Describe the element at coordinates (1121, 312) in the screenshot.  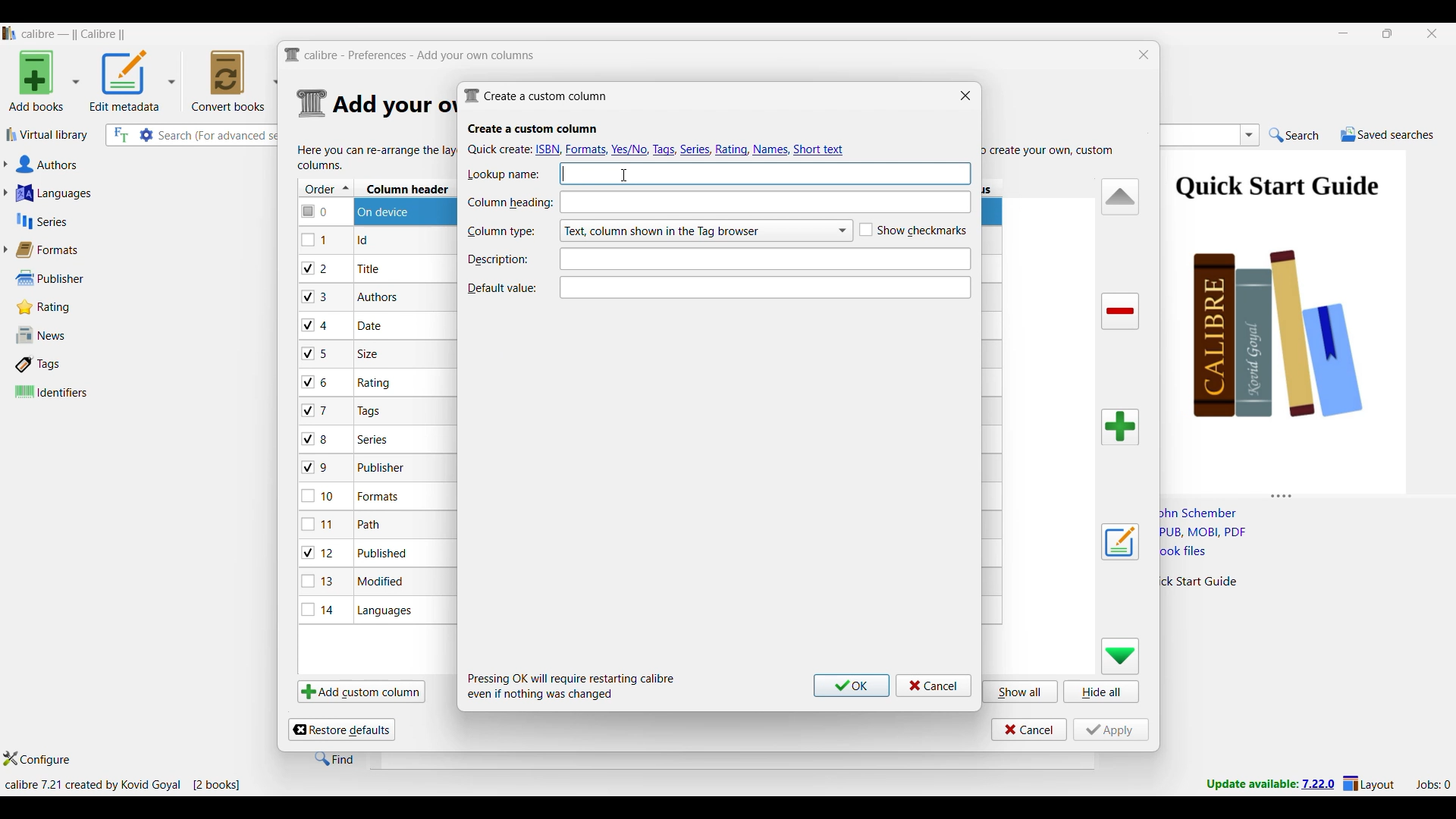
I see `Delete column` at that location.